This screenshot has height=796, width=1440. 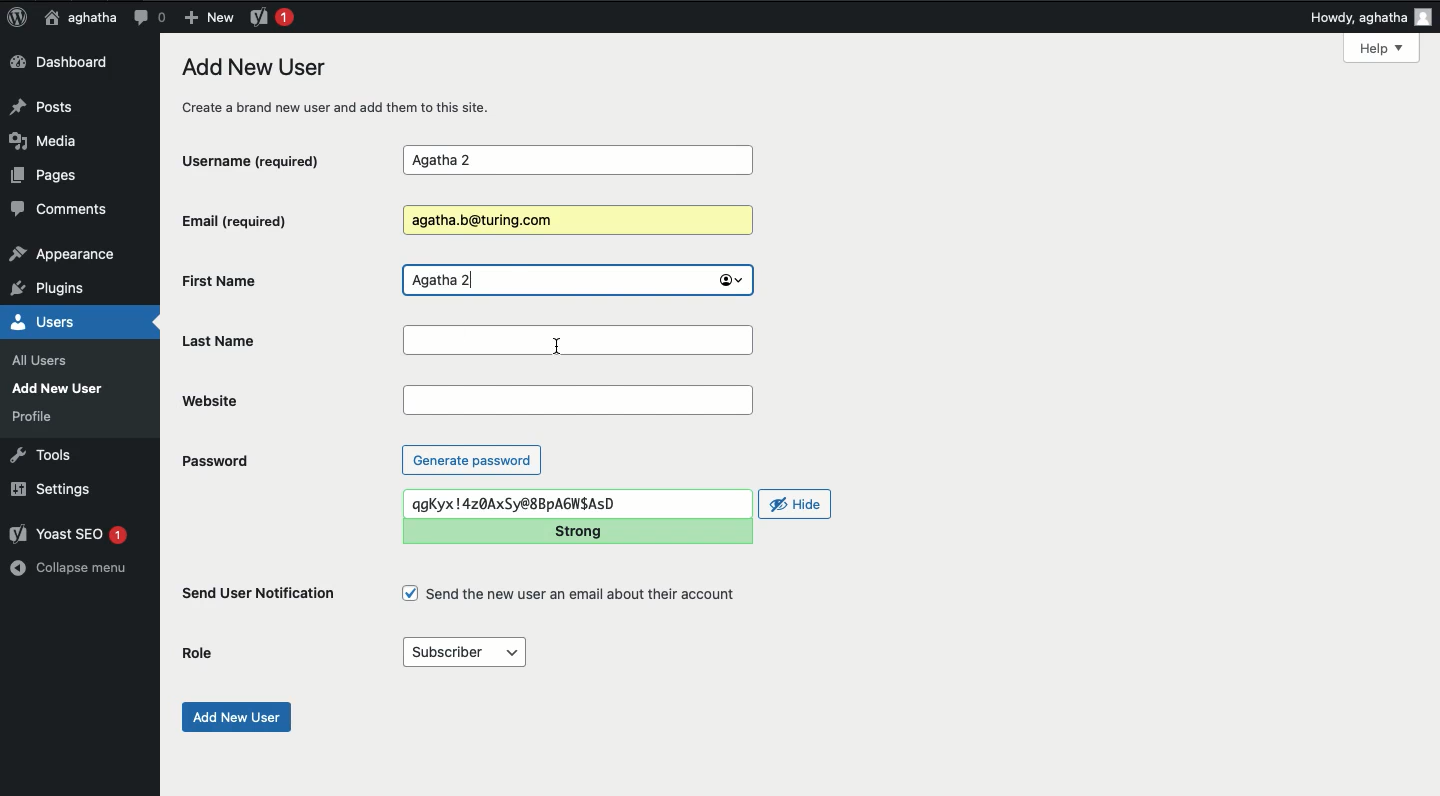 What do you see at coordinates (234, 717) in the screenshot?
I see `Add new user` at bounding box center [234, 717].